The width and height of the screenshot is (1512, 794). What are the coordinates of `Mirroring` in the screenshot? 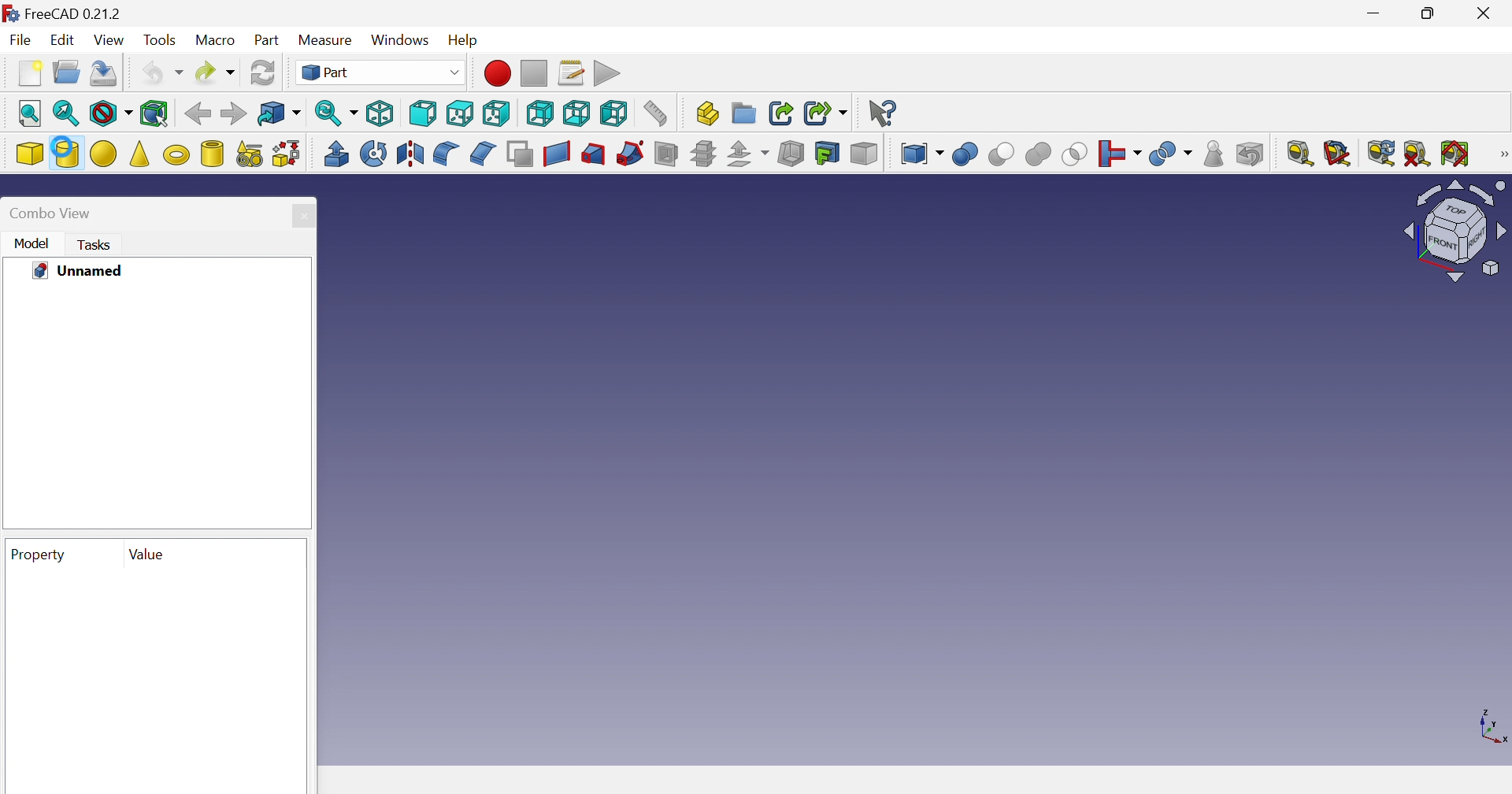 It's located at (409, 154).